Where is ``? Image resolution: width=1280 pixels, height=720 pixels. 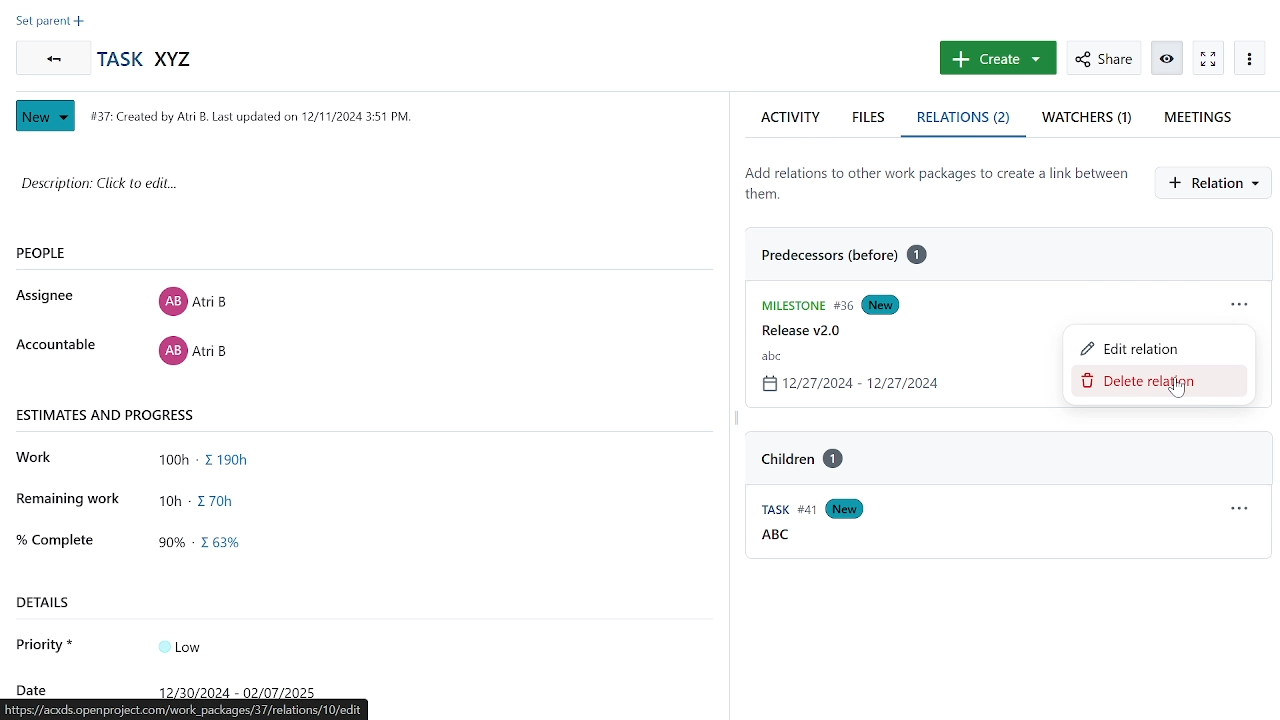  is located at coordinates (192, 645).